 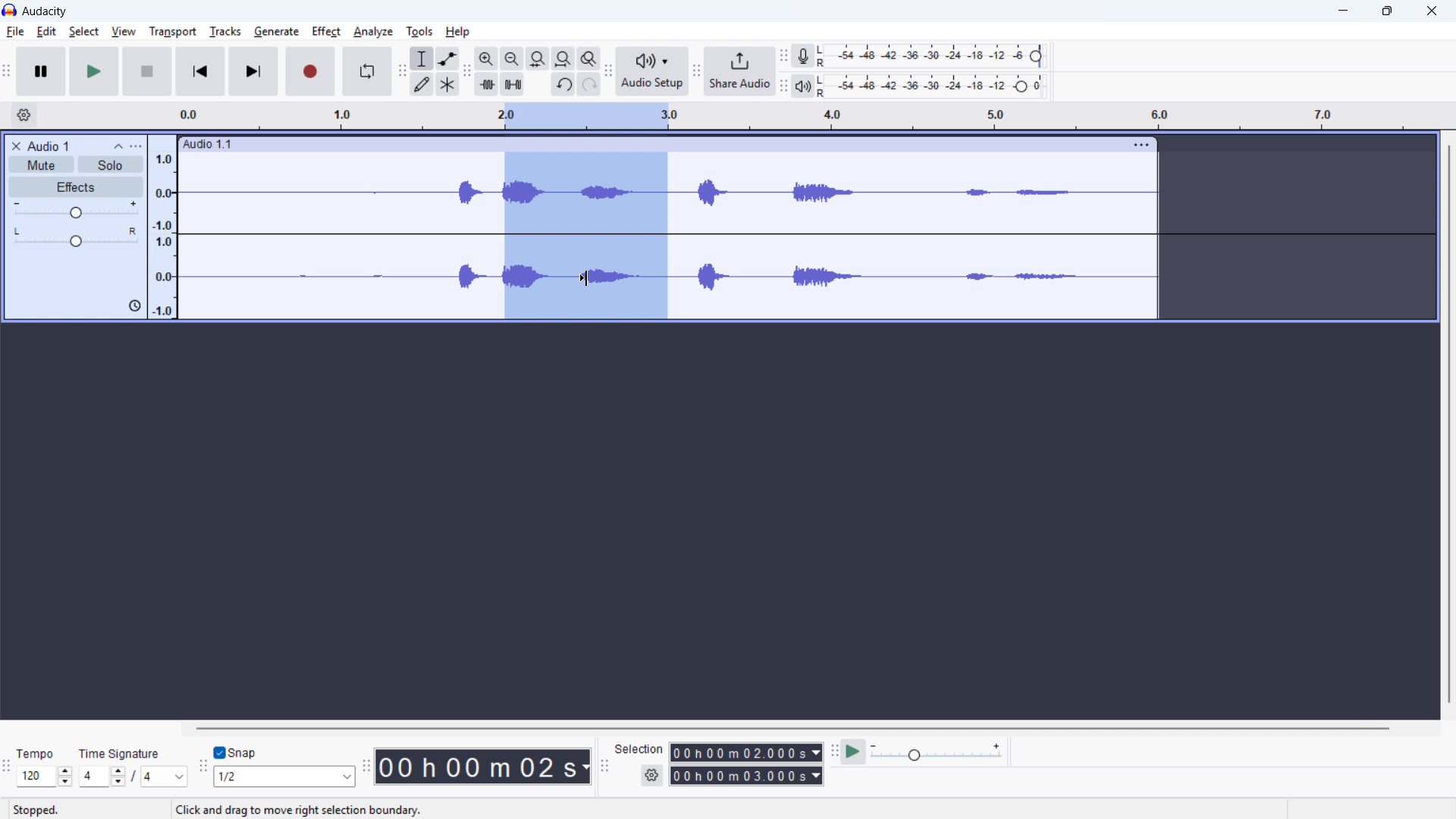 I want to click on Tempo, so click(x=37, y=752).